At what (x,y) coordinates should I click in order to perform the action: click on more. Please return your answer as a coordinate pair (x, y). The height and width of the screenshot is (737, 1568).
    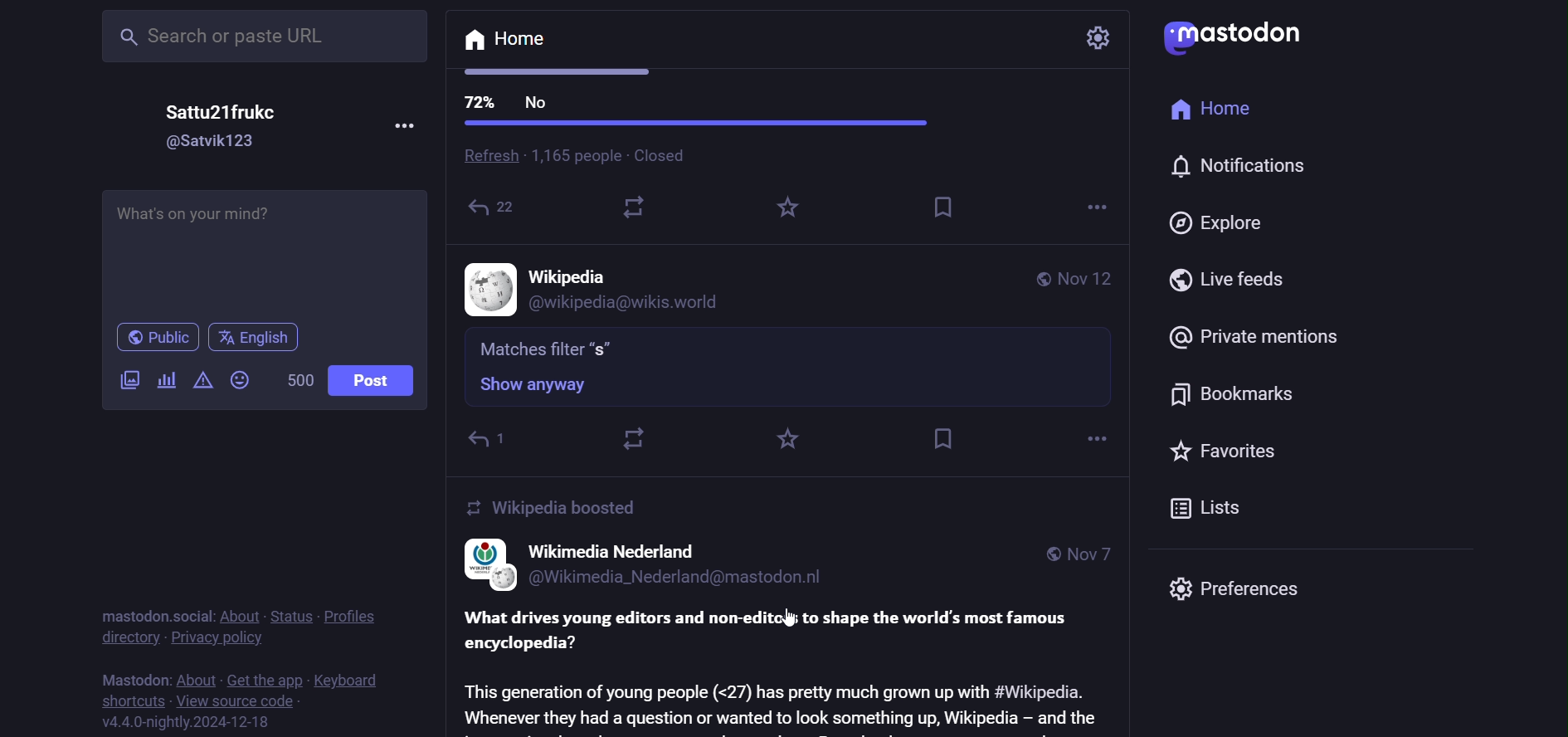
    Looking at the image, I should click on (409, 124).